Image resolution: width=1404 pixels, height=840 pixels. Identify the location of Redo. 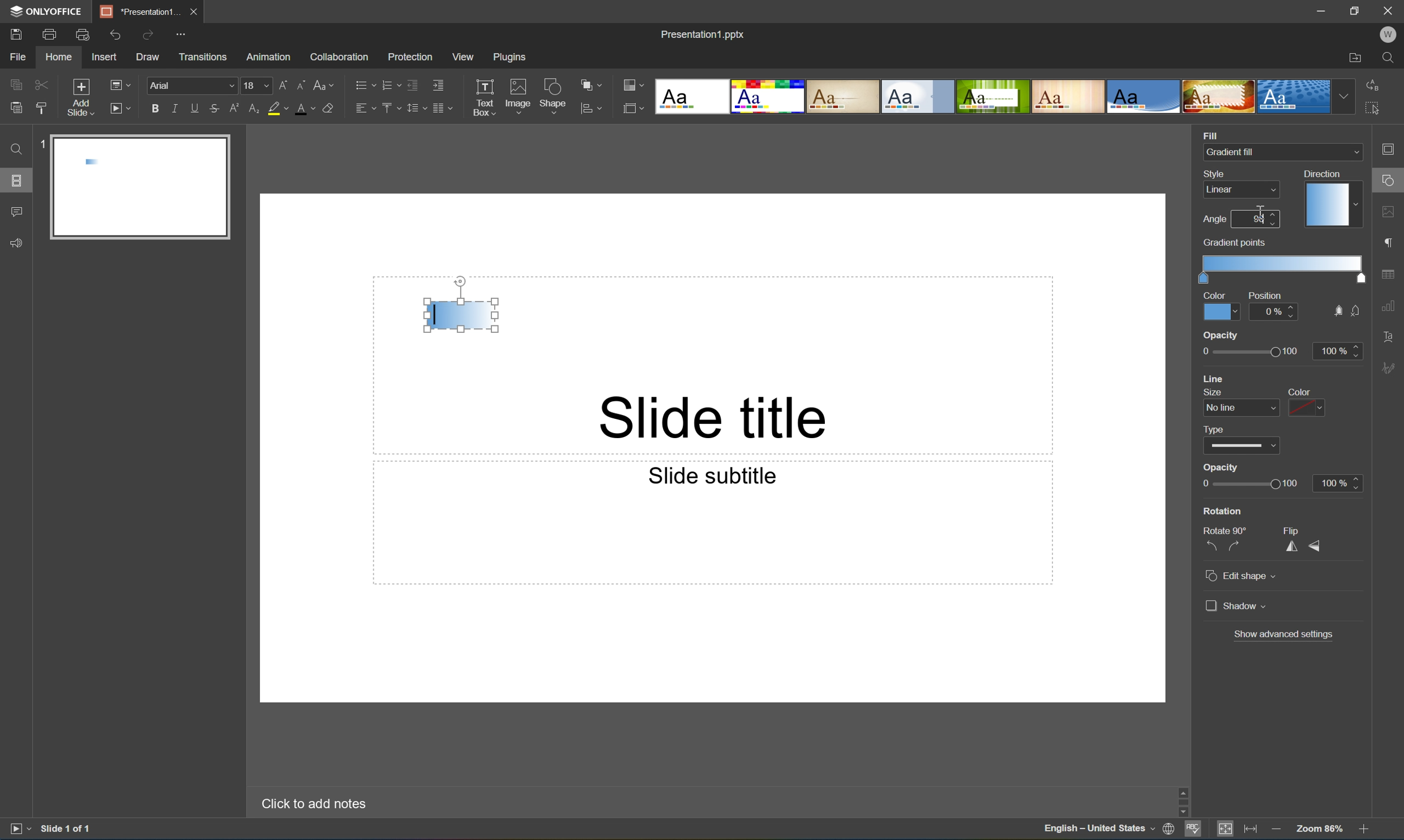
(149, 36).